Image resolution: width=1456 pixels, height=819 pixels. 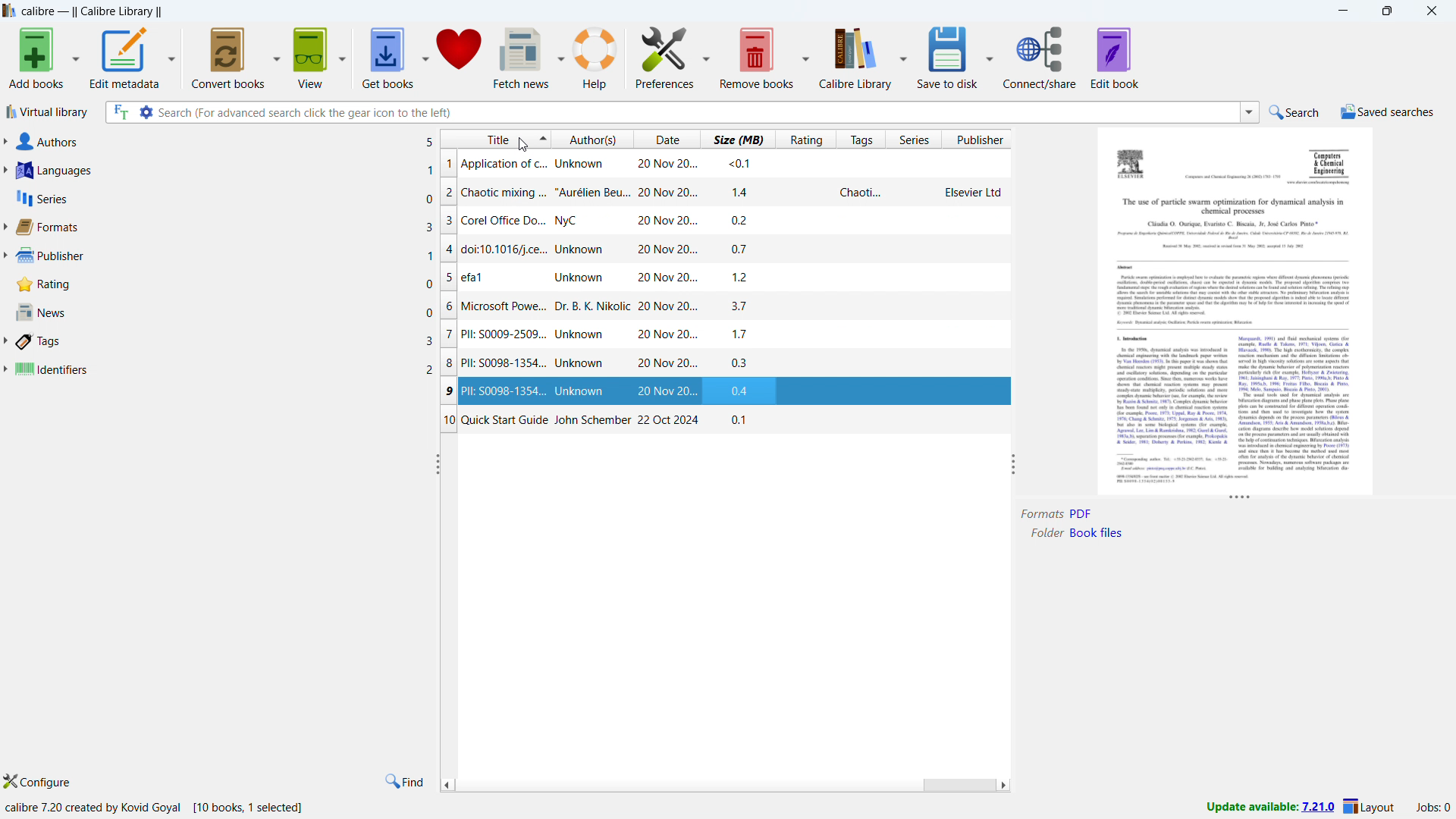 I want to click on chaotic mixing ... “Aurélien Beu... 20 Nov 20..., so click(x=582, y=193).